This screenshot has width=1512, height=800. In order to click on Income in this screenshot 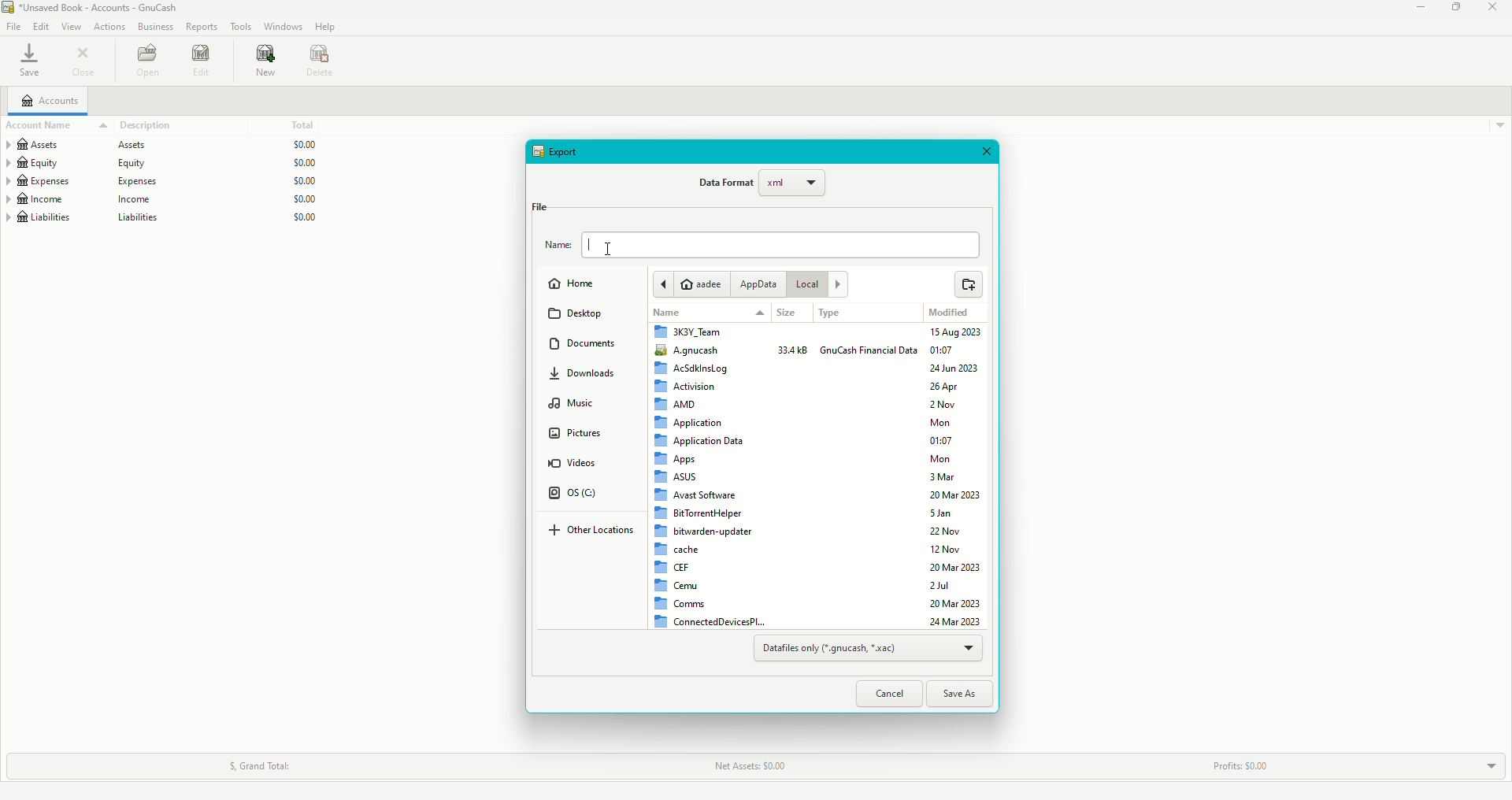, I will do `click(166, 199)`.